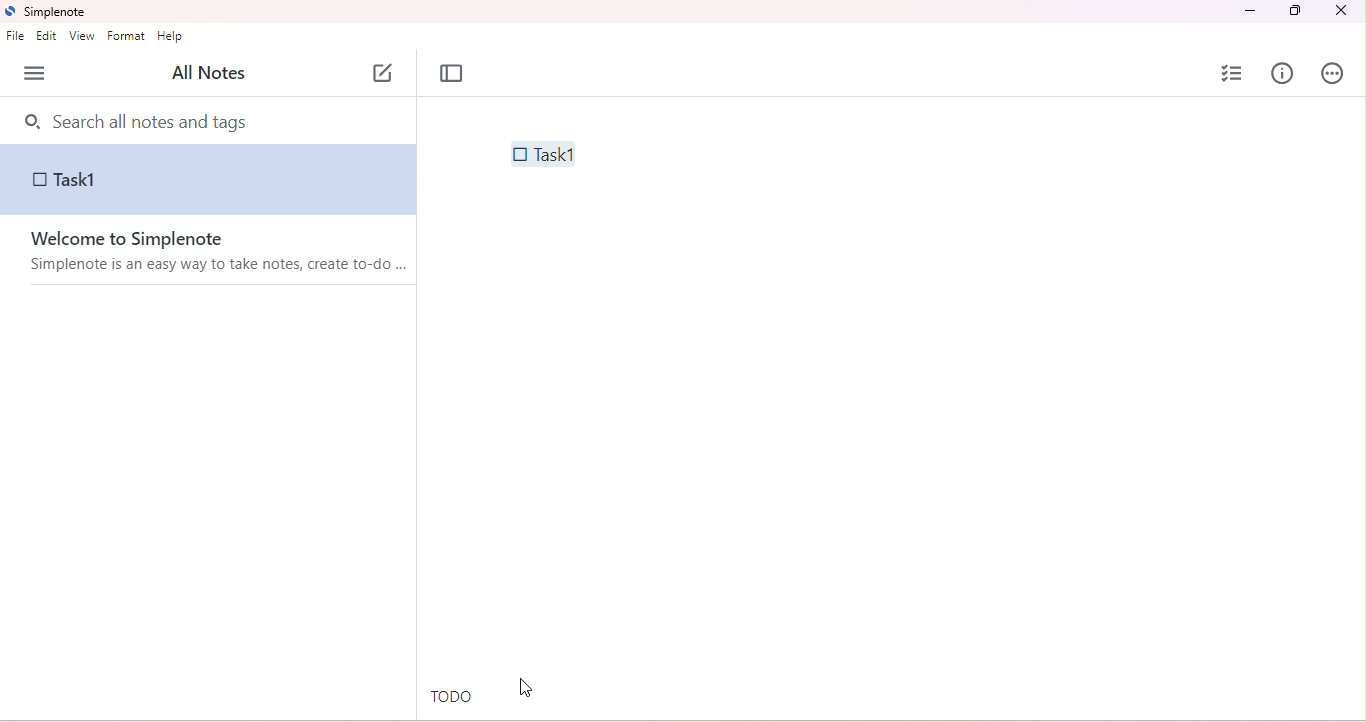 Image resolution: width=1366 pixels, height=722 pixels. I want to click on toggle focus mode, so click(452, 74).